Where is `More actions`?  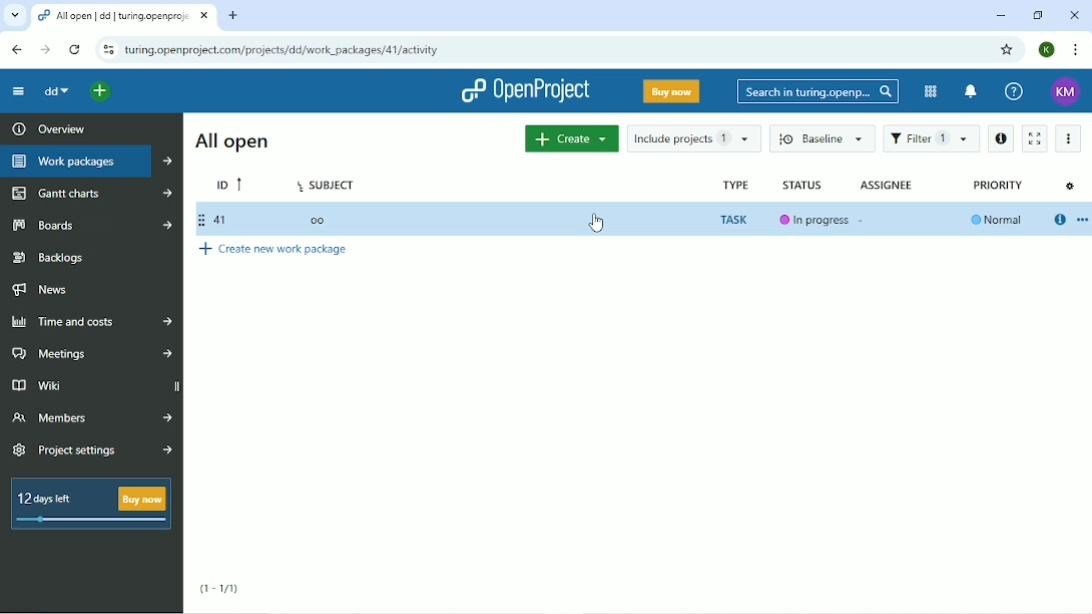 More actions is located at coordinates (1067, 139).